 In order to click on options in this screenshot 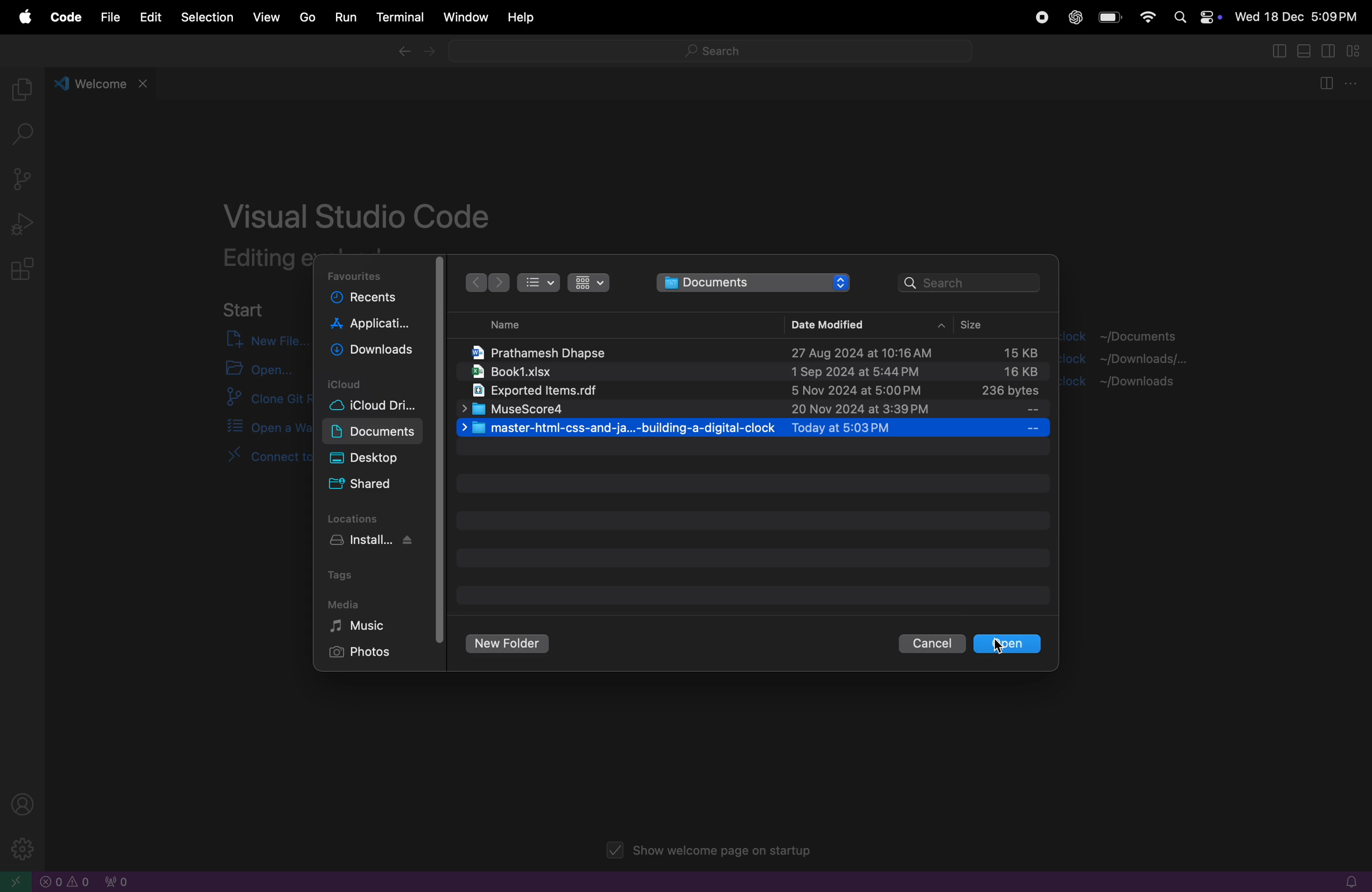, I will do `click(1354, 84)`.